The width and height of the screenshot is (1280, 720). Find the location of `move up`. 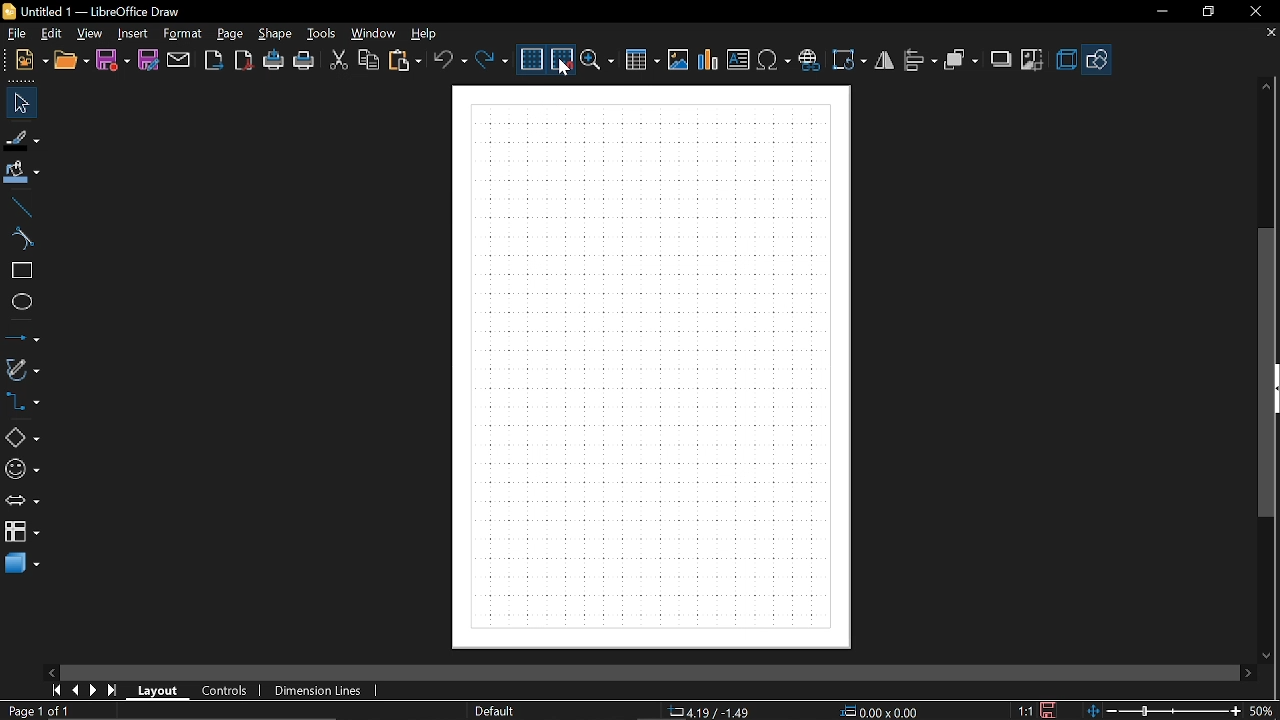

move up is located at coordinates (1266, 89).